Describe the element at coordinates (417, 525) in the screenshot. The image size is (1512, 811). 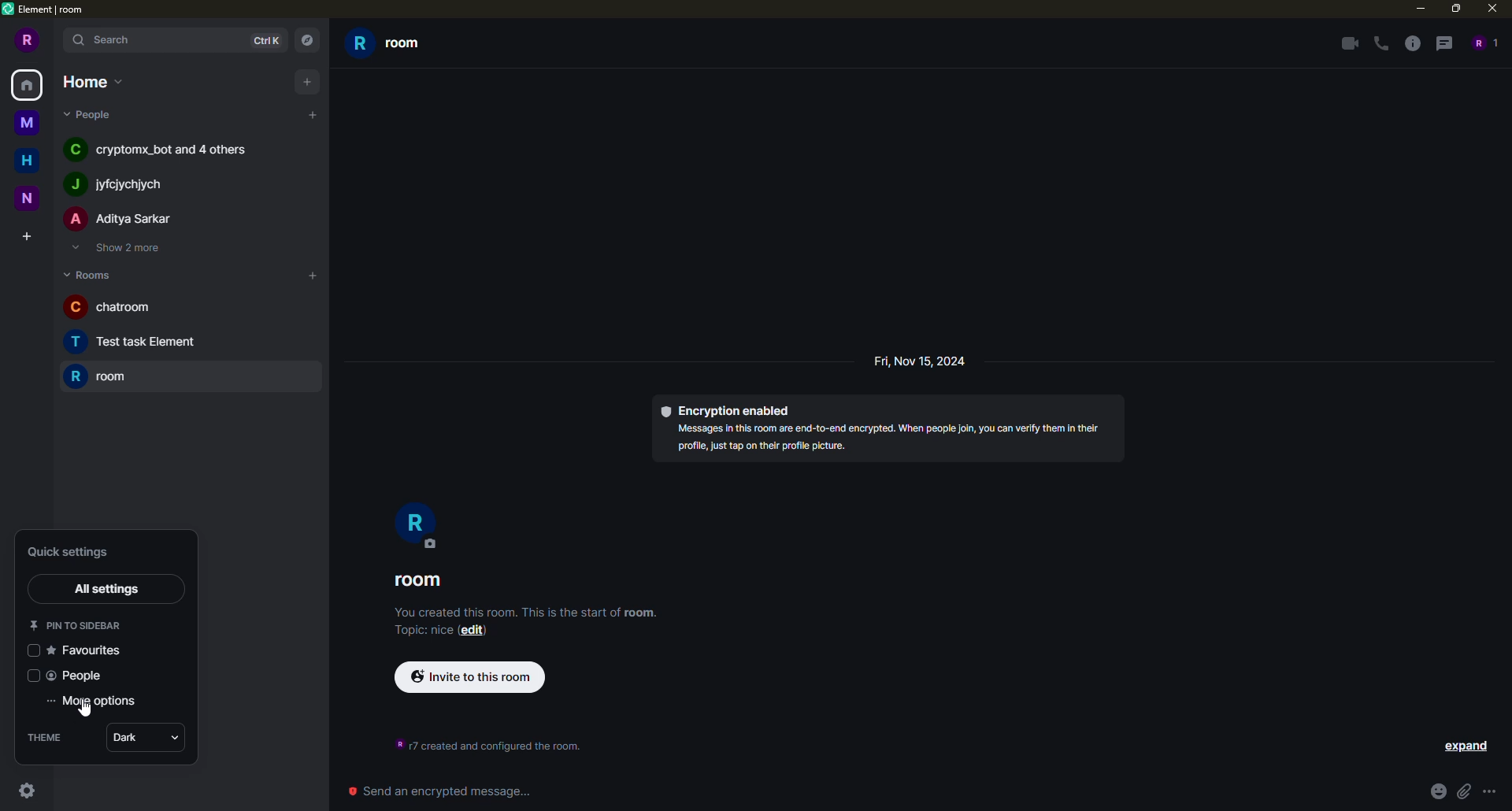
I see `r` at that location.